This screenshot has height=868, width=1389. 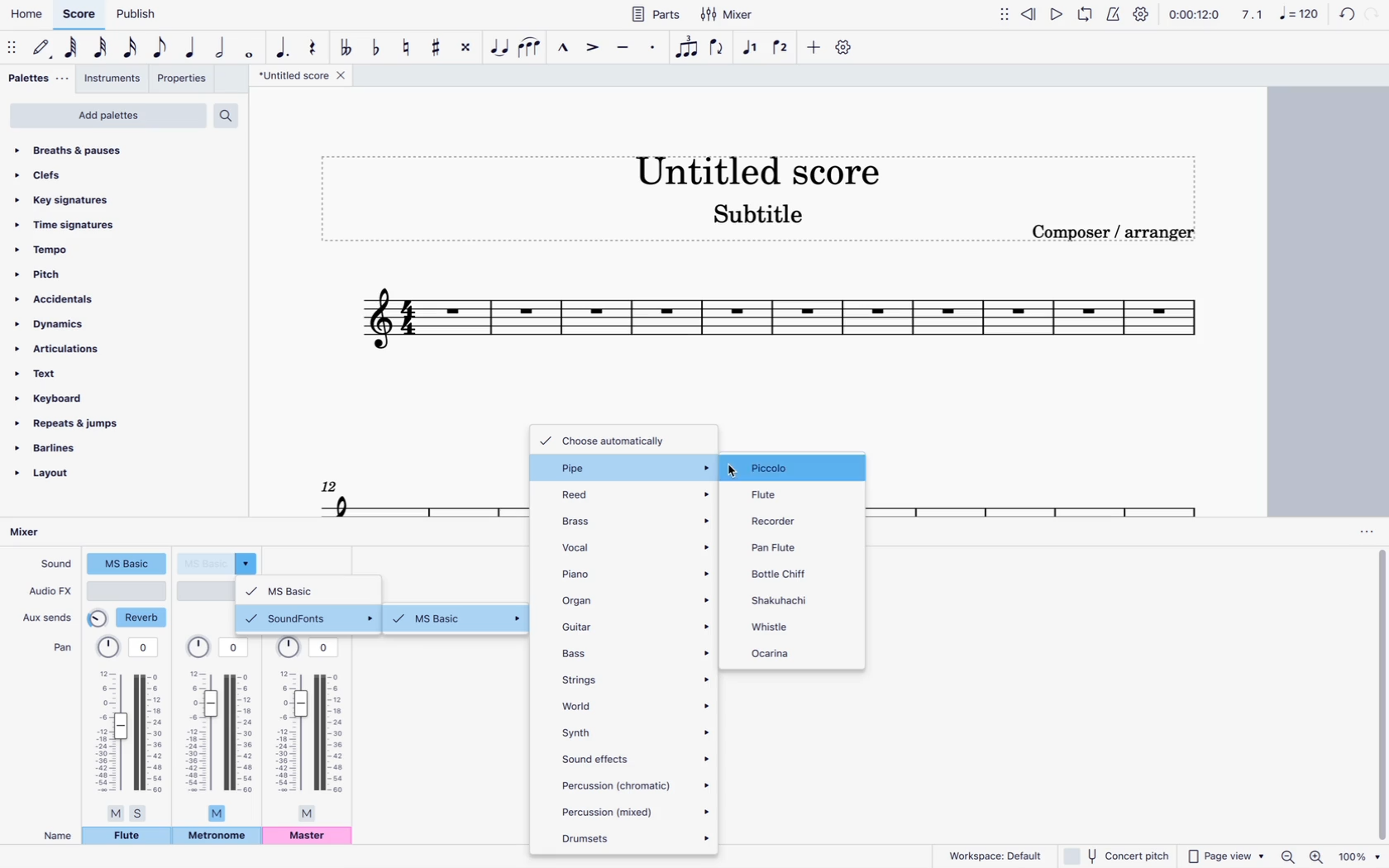 What do you see at coordinates (107, 116) in the screenshot?
I see `add palettes` at bounding box center [107, 116].